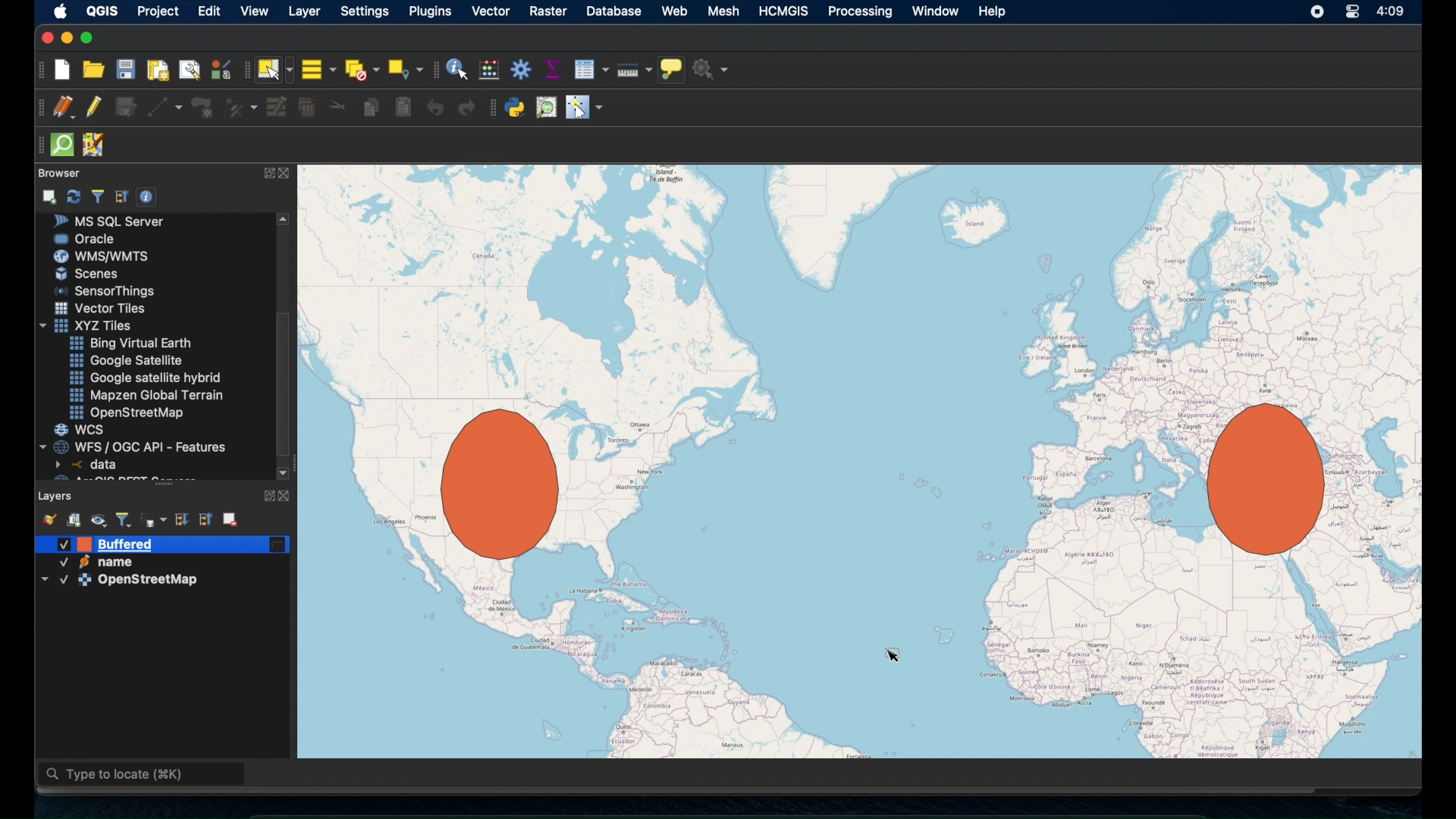  What do you see at coordinates (521, 70) in the screenshot?
I see `toolbox` at bounding box center [521, 70].